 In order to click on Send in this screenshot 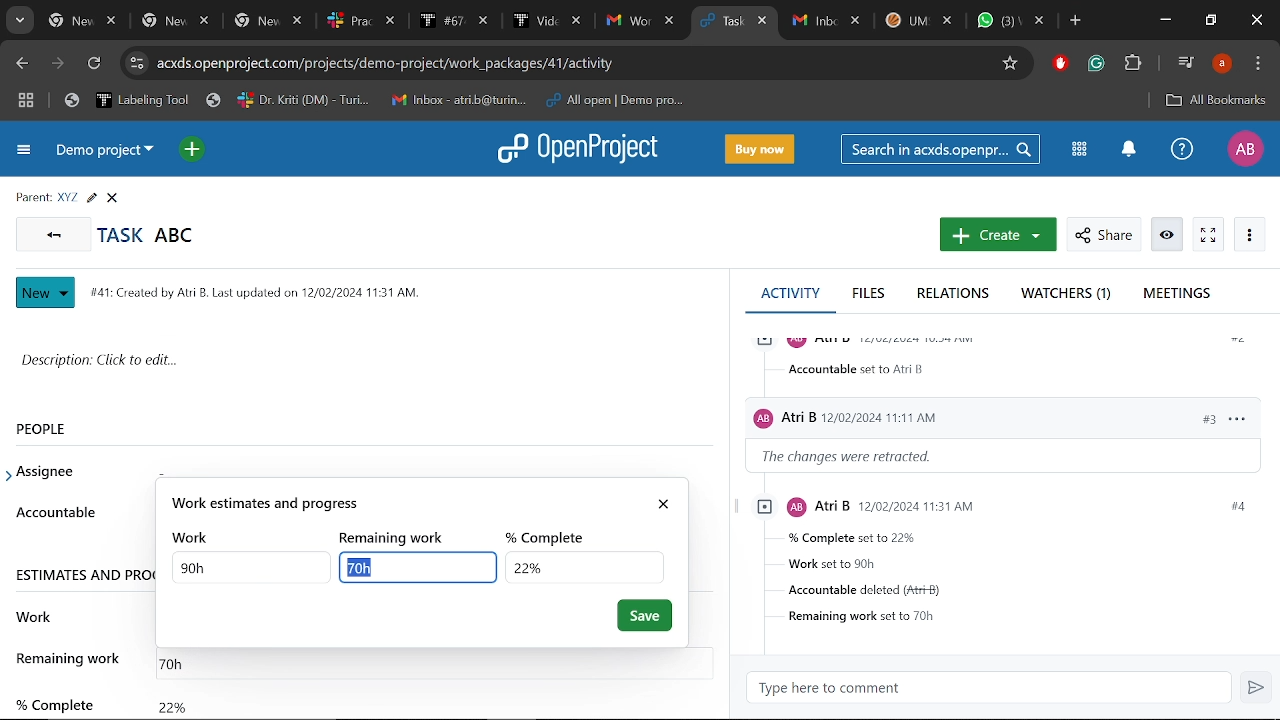, I will do `click(1258, 689)`.